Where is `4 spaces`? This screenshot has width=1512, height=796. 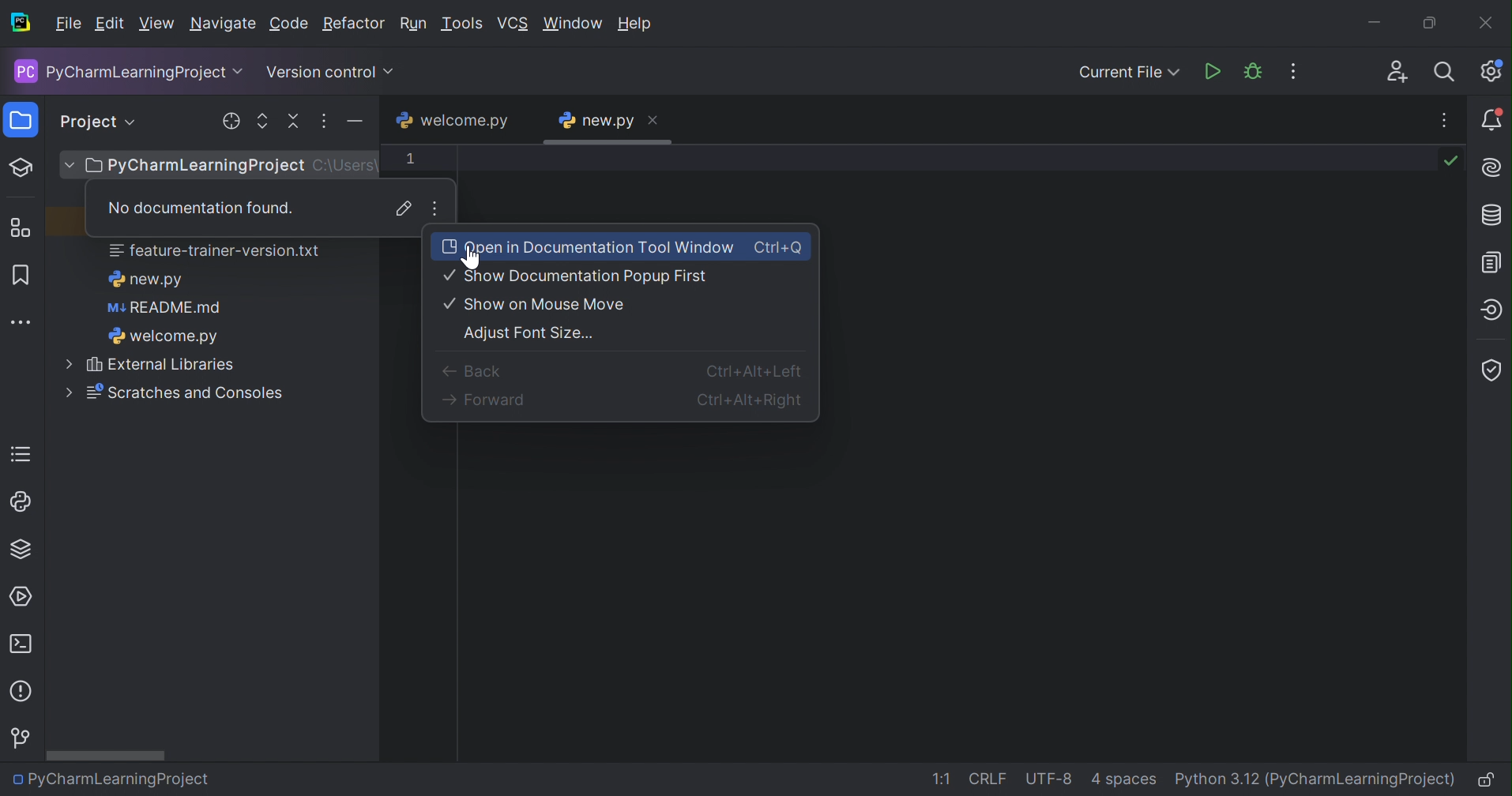 4 spaces is located at coordinates (1126, 782).